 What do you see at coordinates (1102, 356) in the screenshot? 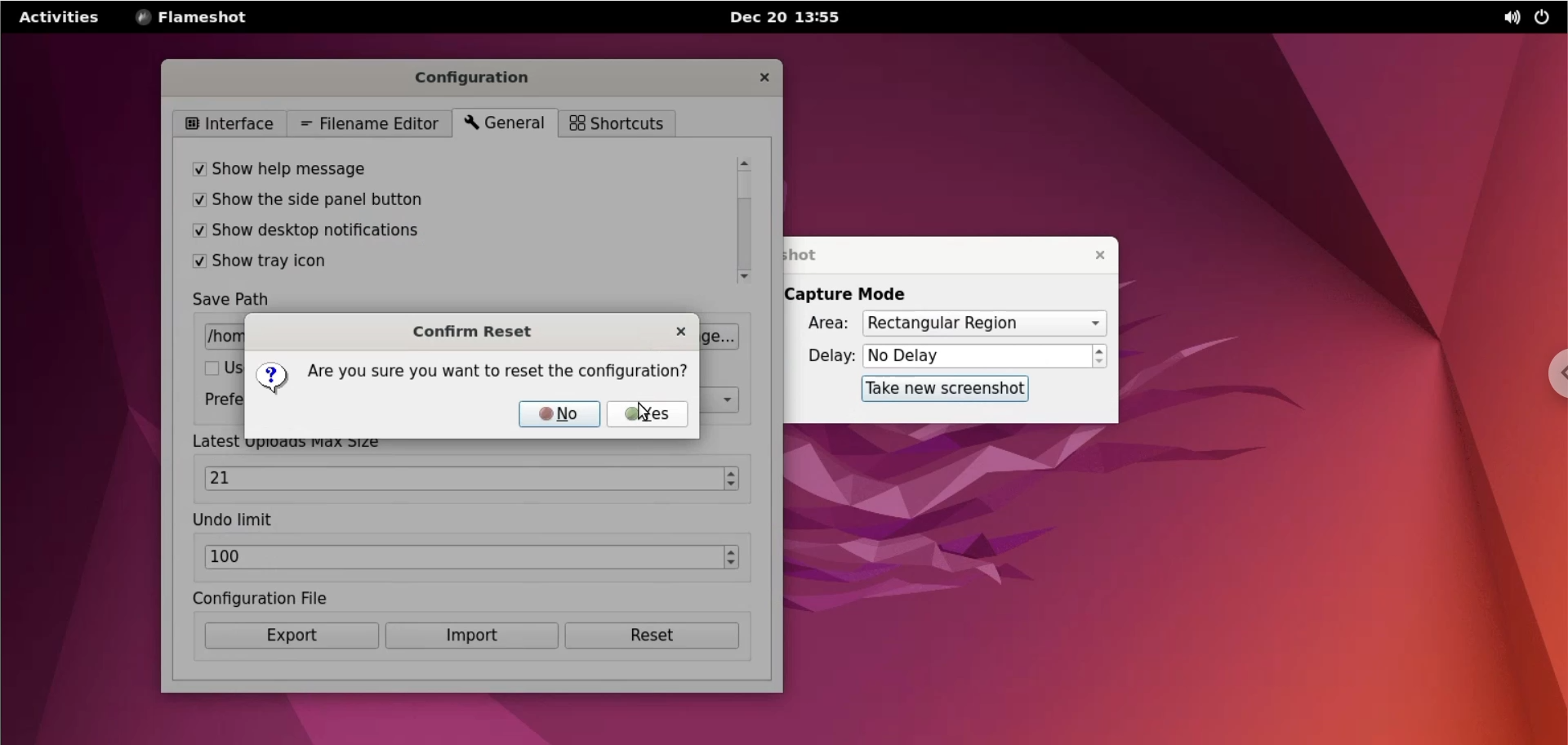
I see `increment or decrement delay` at bounding box center [1102, 356].